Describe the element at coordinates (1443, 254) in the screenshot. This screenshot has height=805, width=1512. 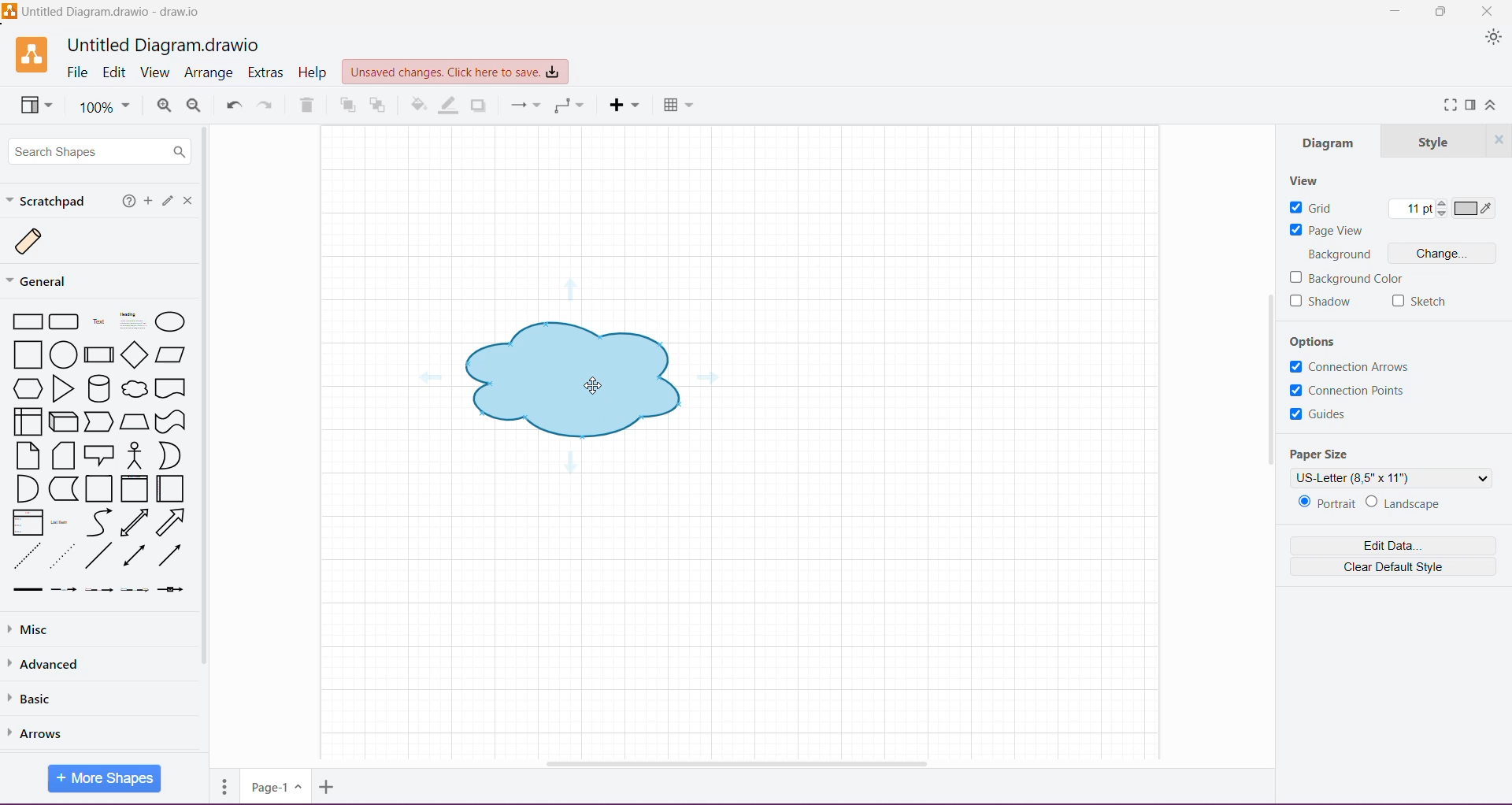
I see `Click to change the Background` at that location.